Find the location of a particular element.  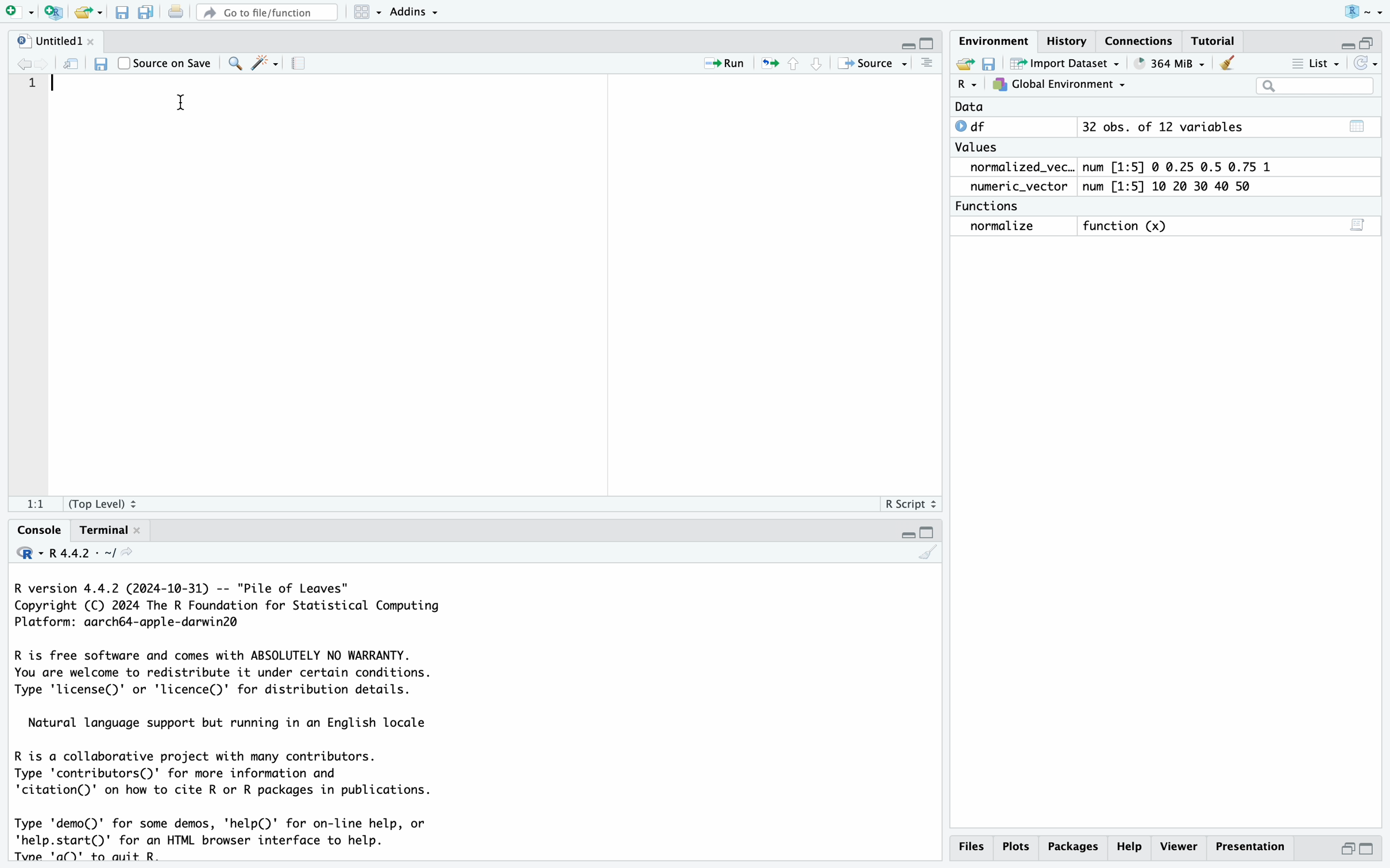

Fullscreen is located at coordinates (918, 42).